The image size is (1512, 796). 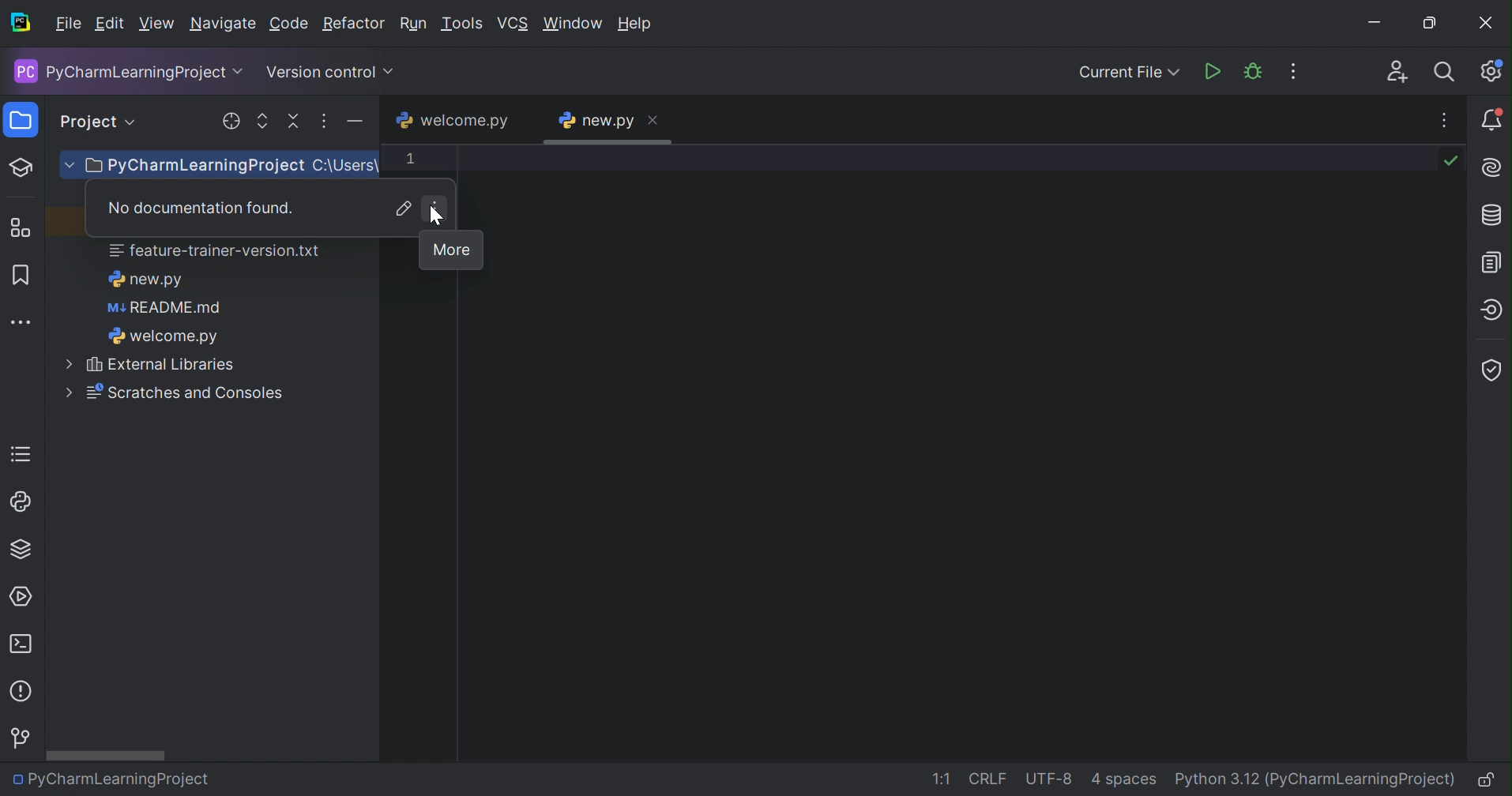 I want to click on Project icon, so click(x=17, y=121).